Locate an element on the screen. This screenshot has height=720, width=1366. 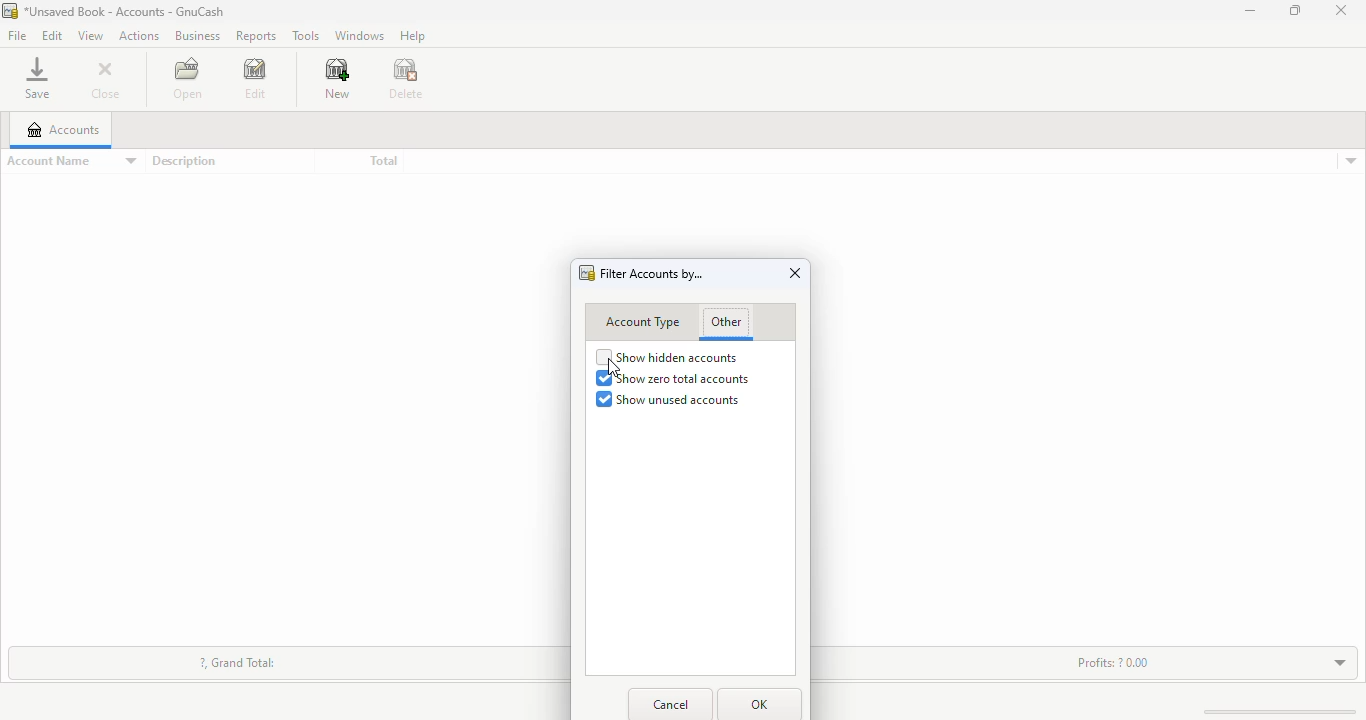
title is located at coordinates (124, 11).